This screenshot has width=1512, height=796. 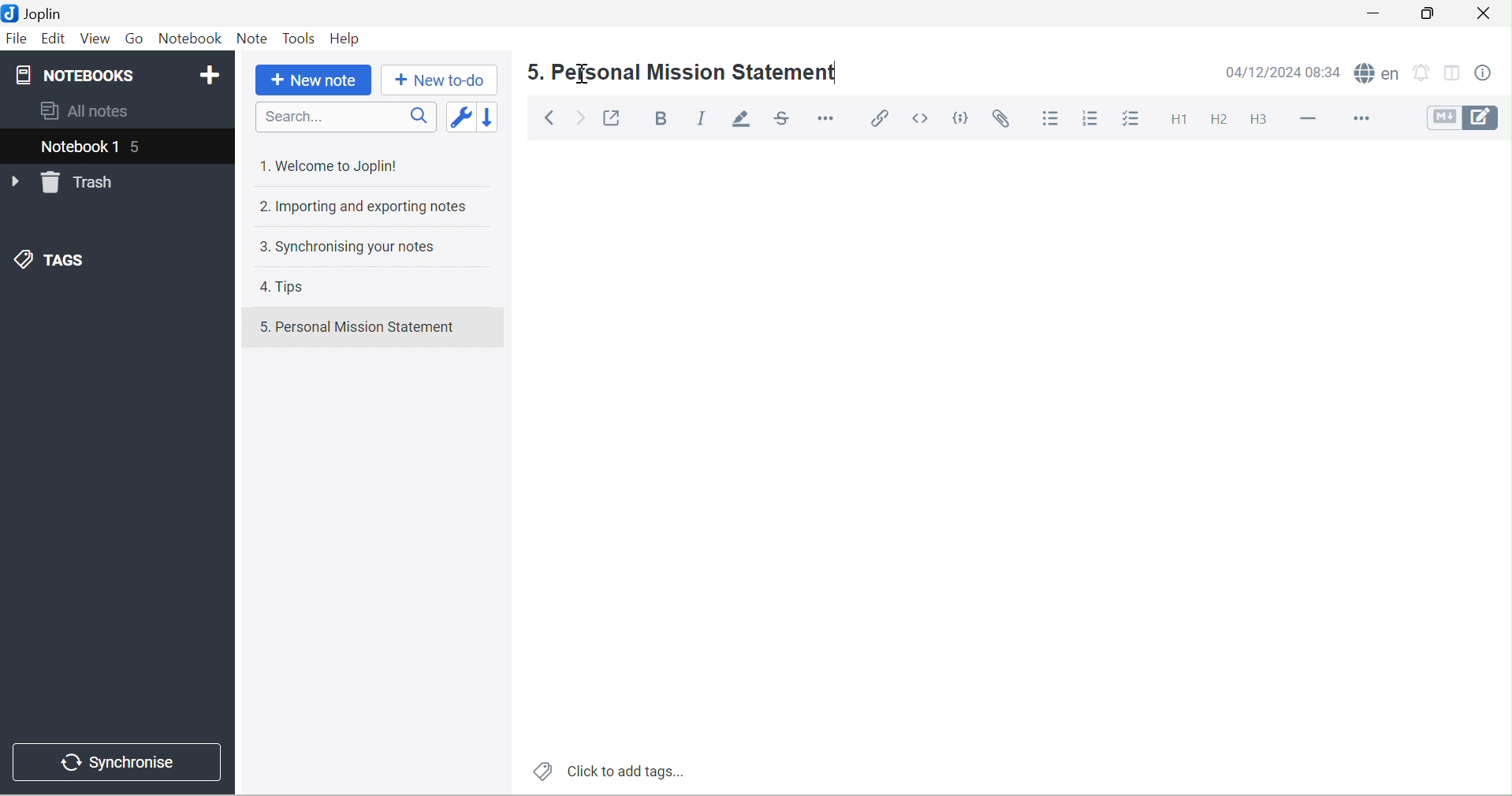 I want to click on Insert / edit link, so click(x=879, y=117).